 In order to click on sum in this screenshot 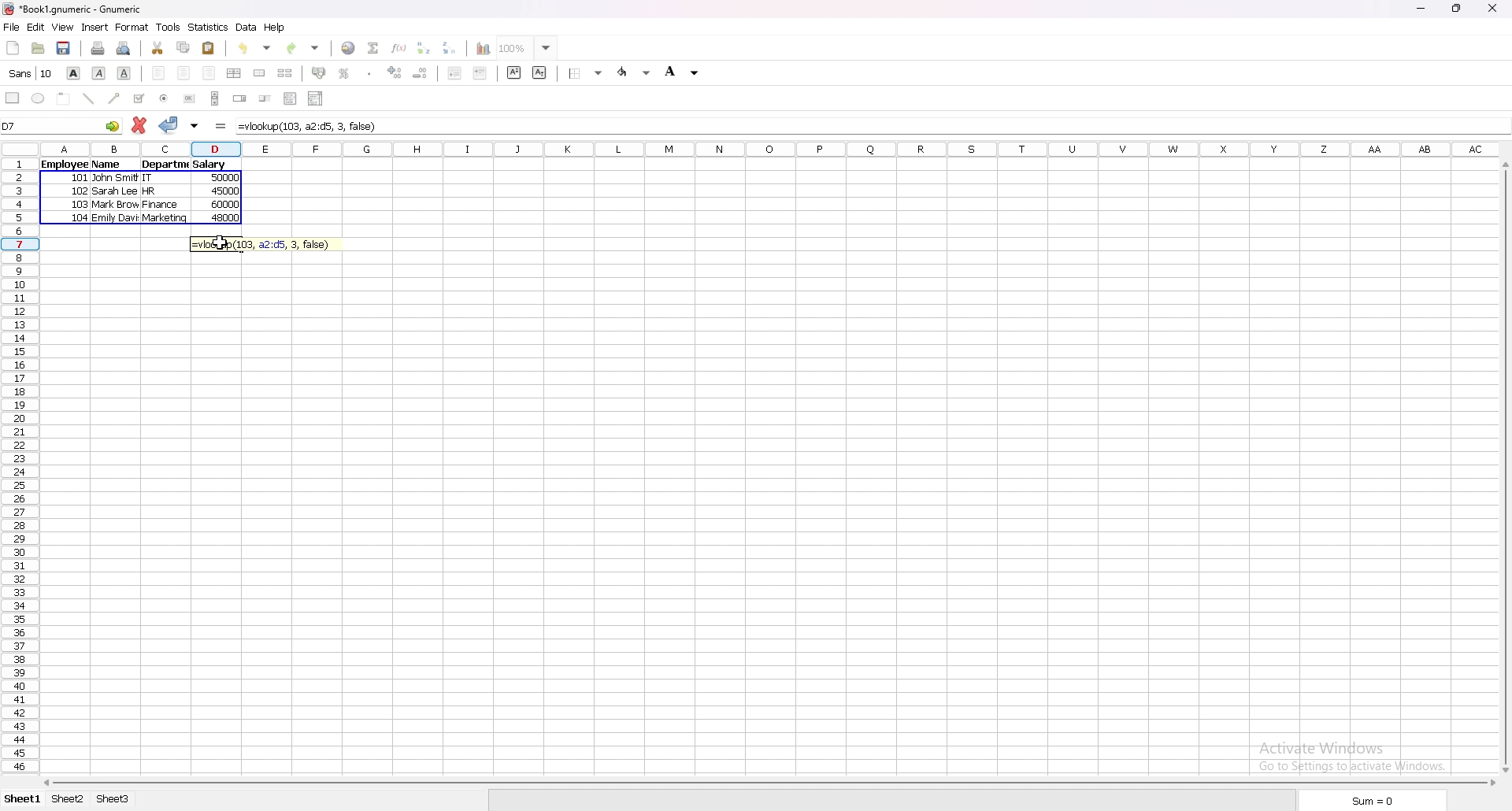, I will do `click(1375, 799)`.